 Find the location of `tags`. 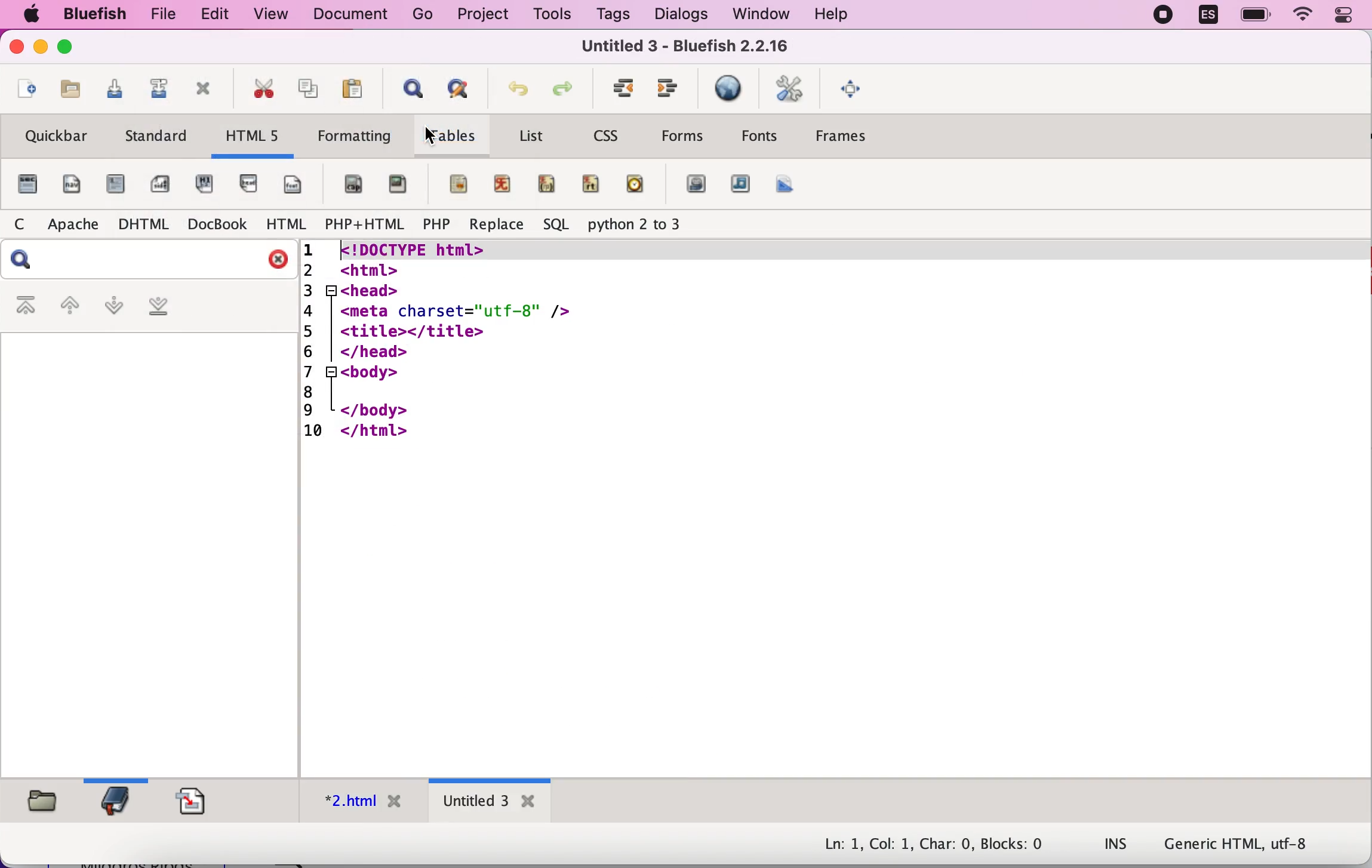

tags is located at coordinates (612, 14).